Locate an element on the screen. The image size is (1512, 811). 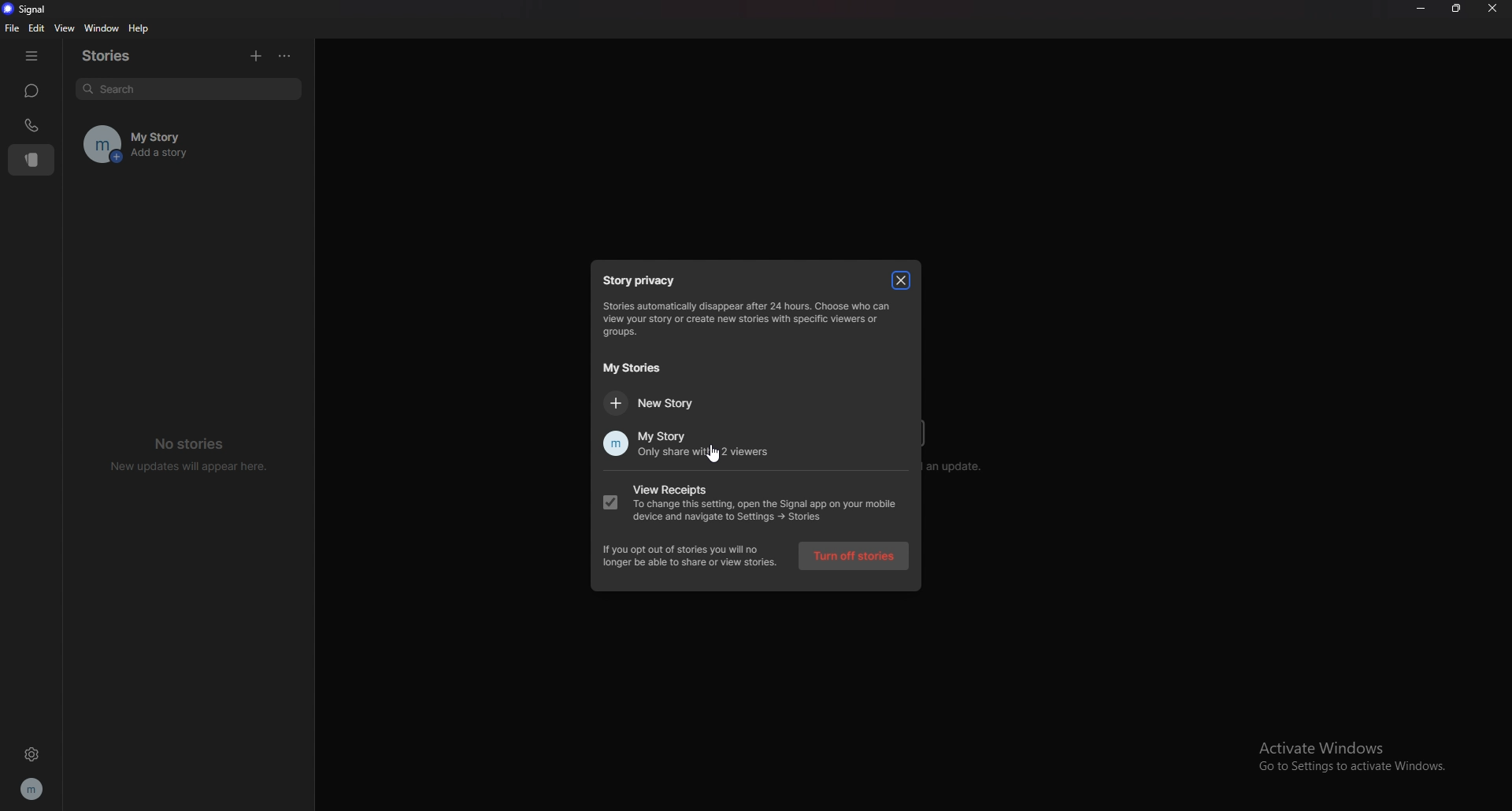
calls is located at coordinates (34, 124).